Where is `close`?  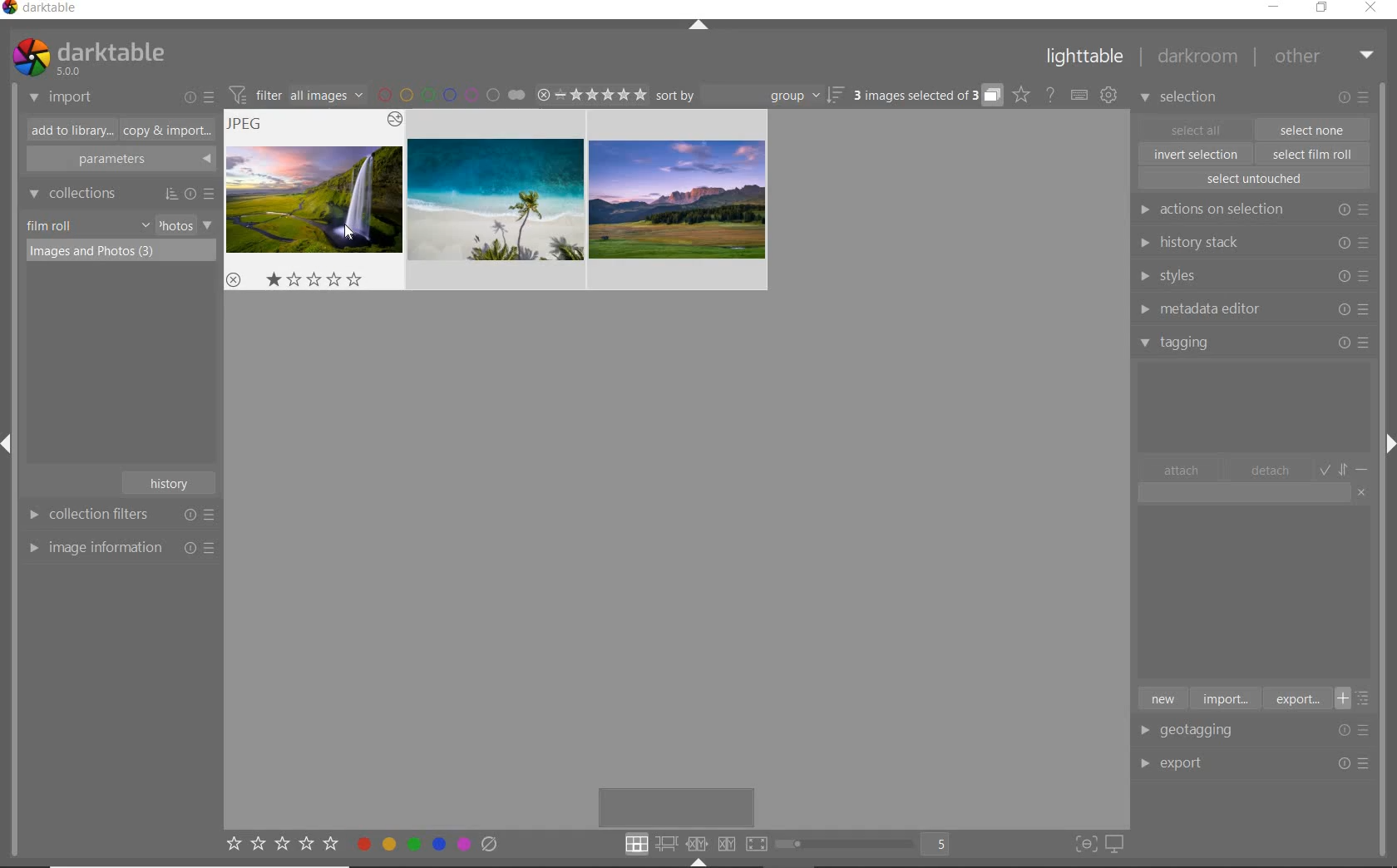
close is located at coordinates (1374, 9).